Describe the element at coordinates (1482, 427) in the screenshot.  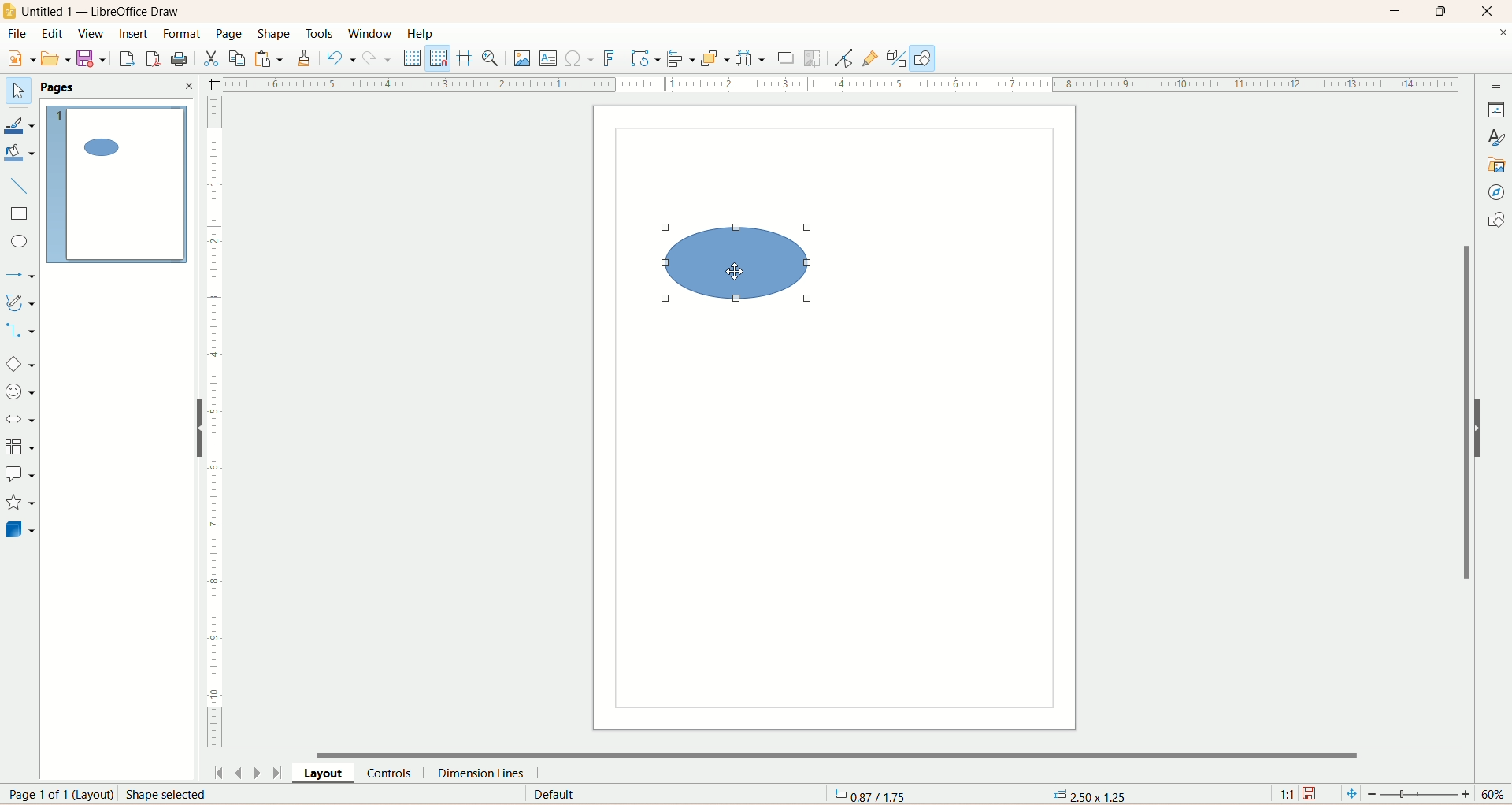
I see `hide` at that location.